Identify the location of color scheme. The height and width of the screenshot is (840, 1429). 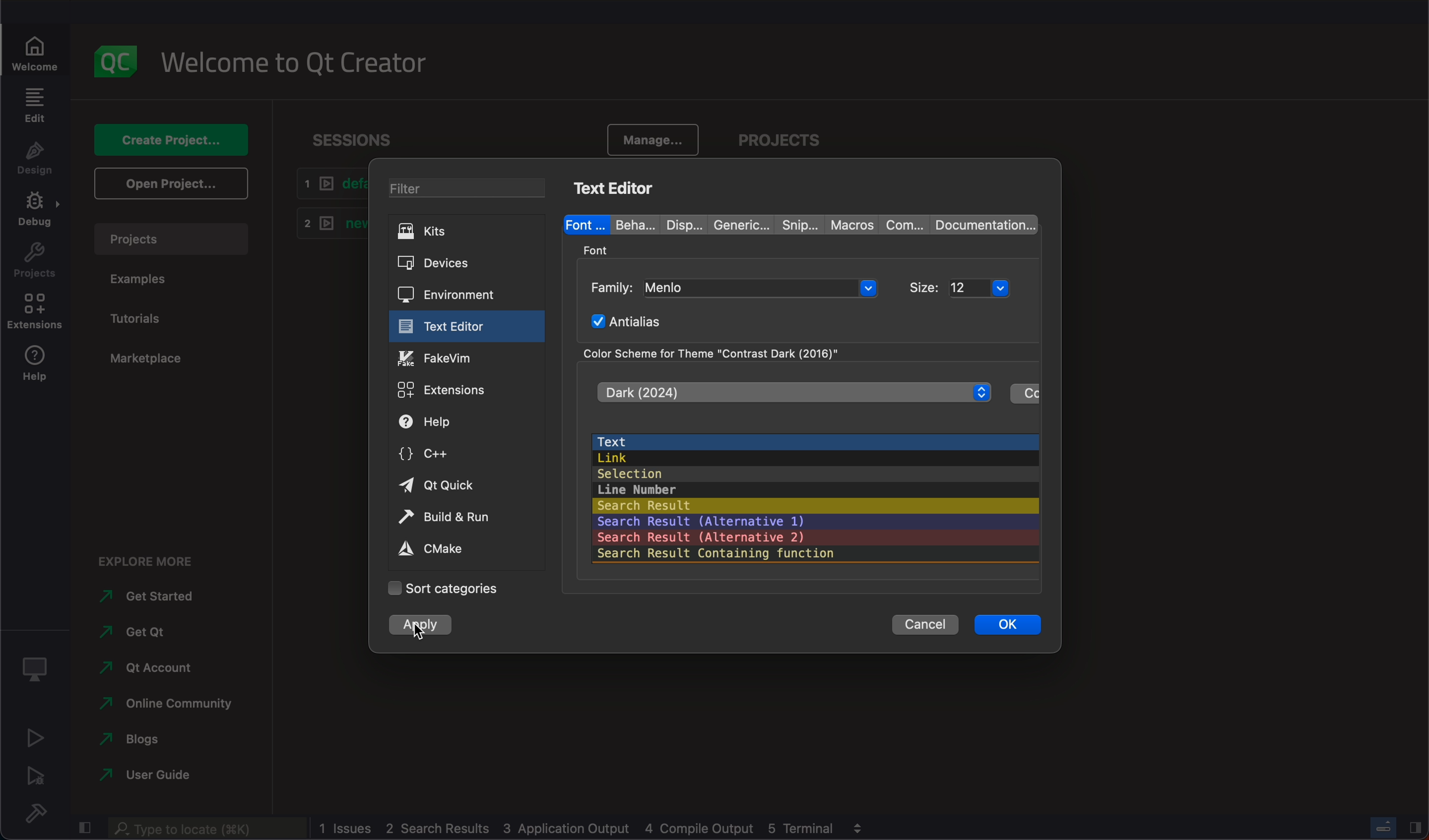
(721, 352).